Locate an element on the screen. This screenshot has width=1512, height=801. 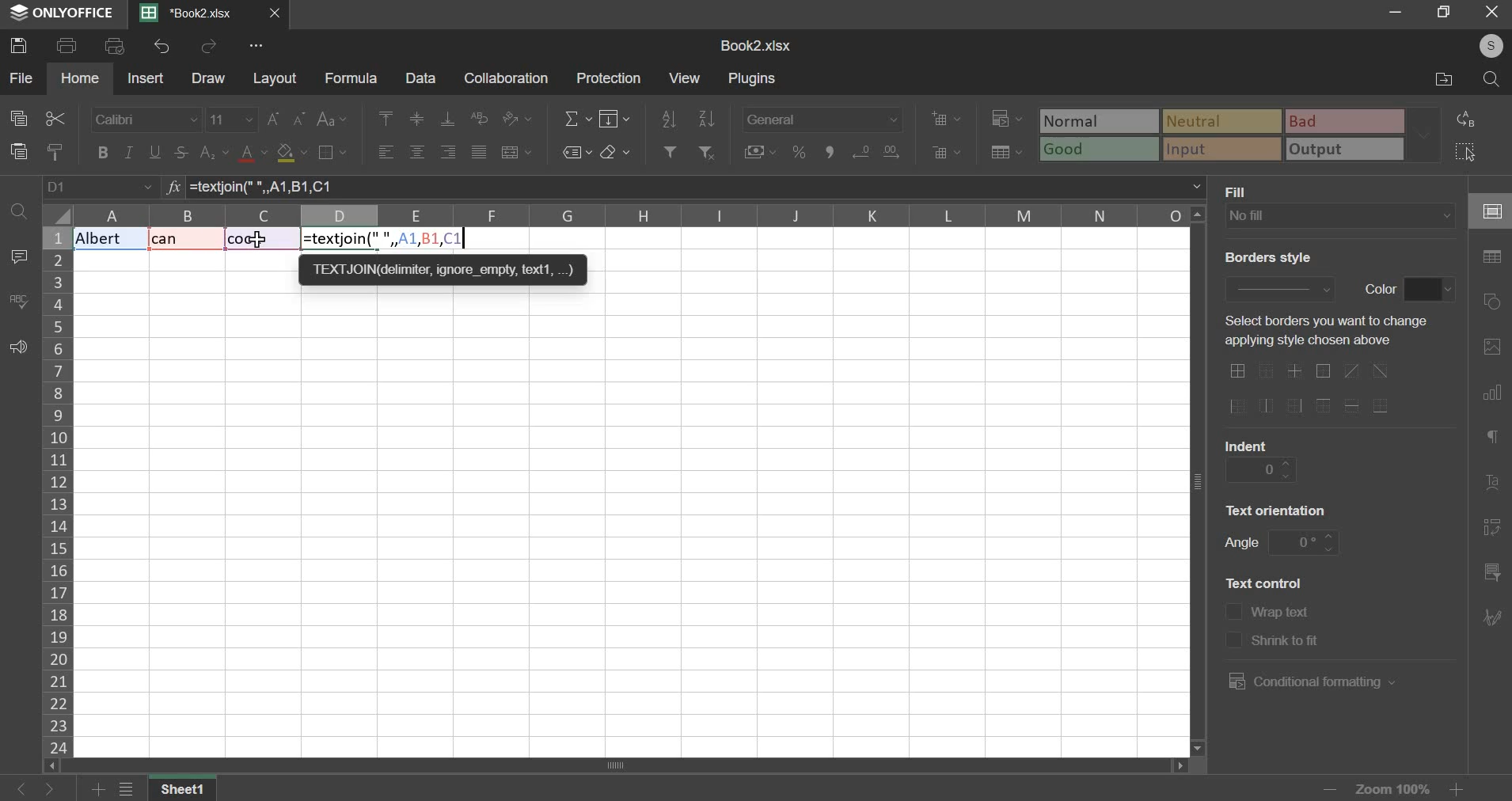
merge & center is located at coordinates (517, 152).